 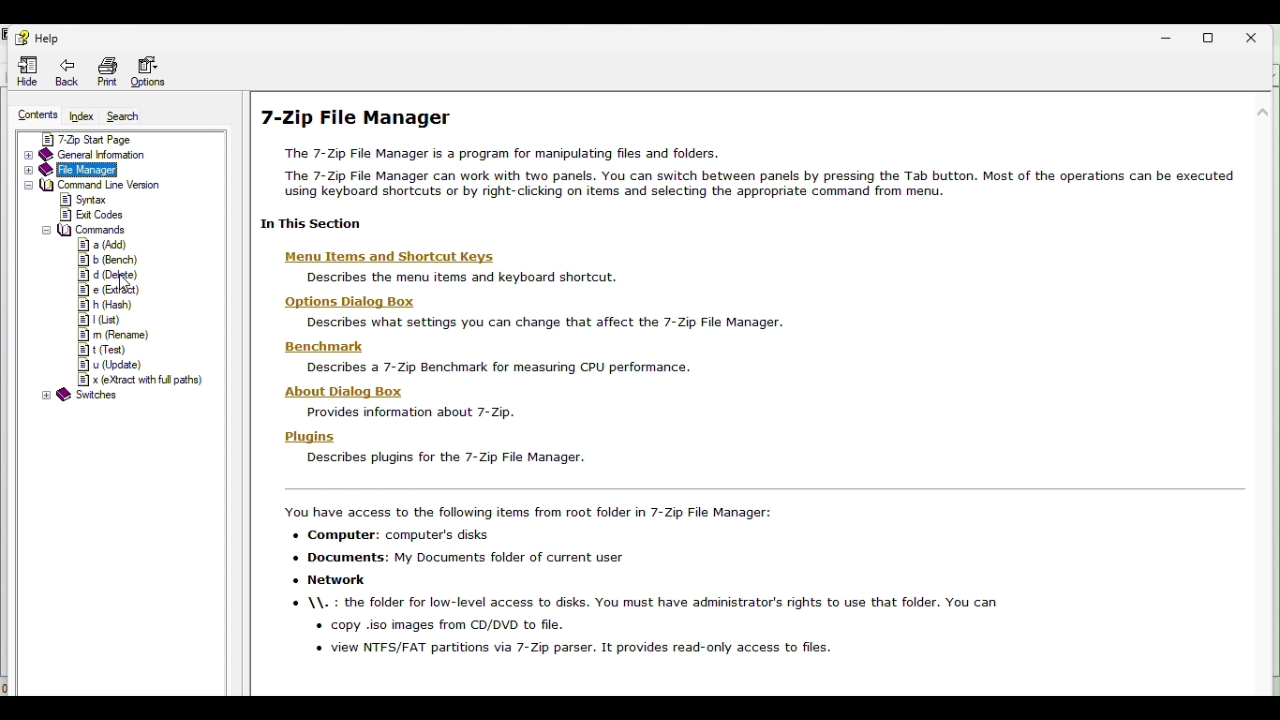 What do you see at coordinates (109, 276) in the screenshot?
I see `d` at bounding box center [109, 276].